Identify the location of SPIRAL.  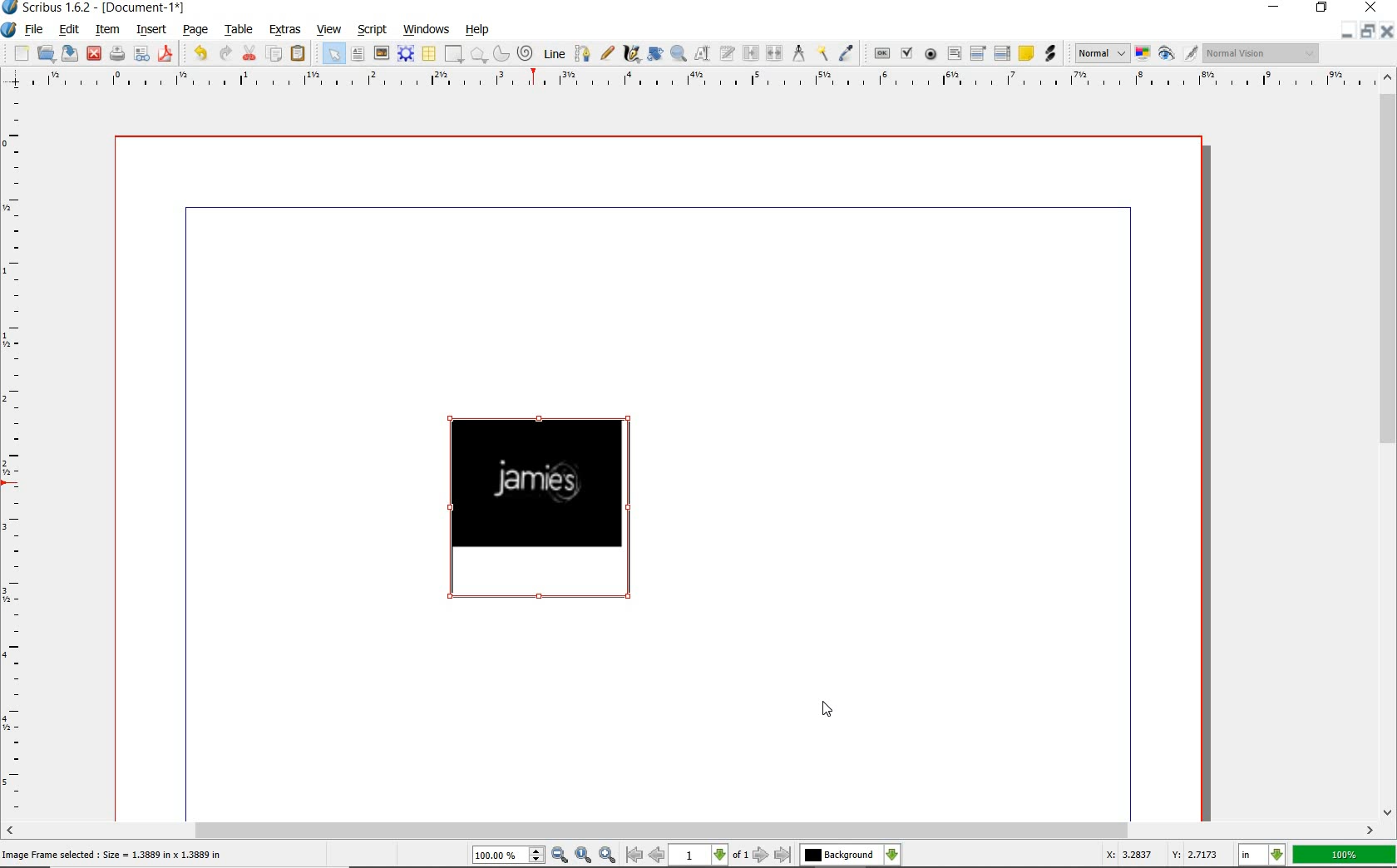
(526, 52).